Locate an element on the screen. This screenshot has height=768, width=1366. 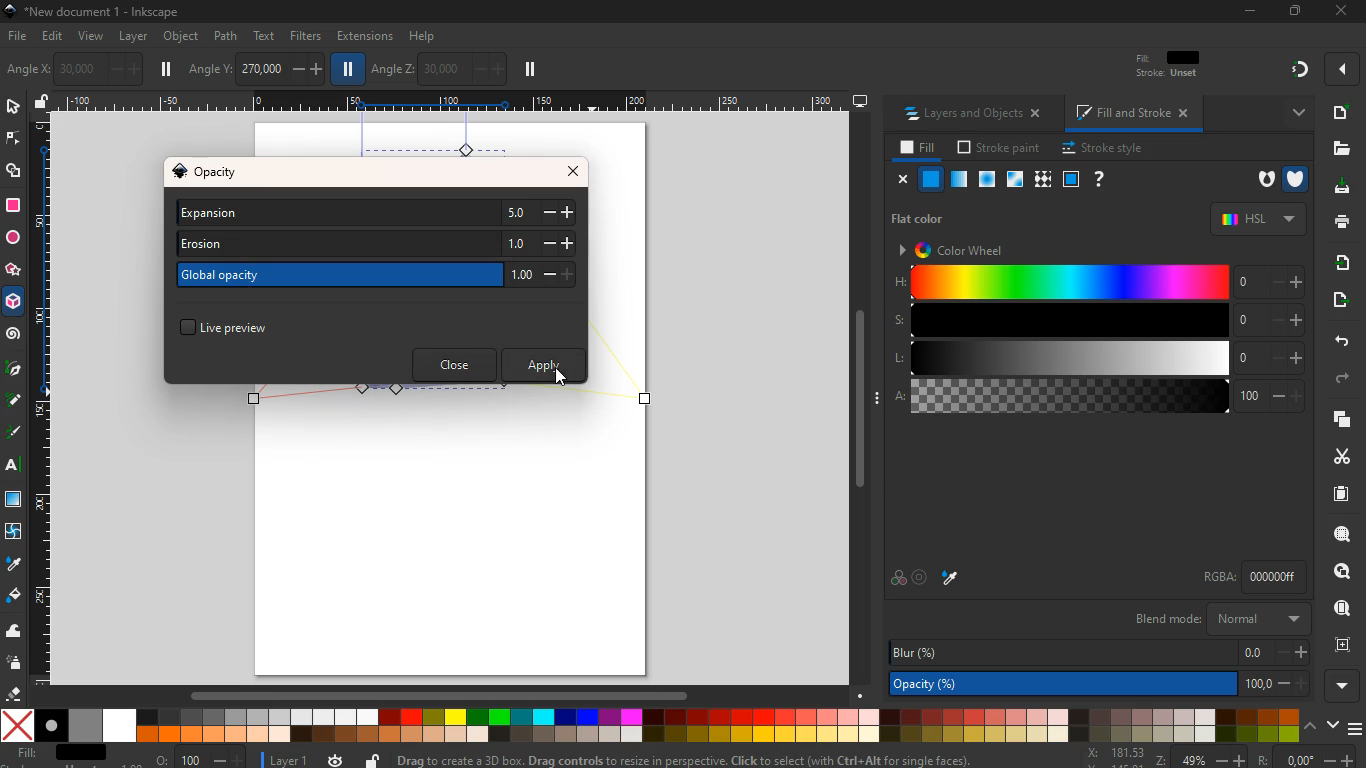
close is located at coordinates (577, 171).